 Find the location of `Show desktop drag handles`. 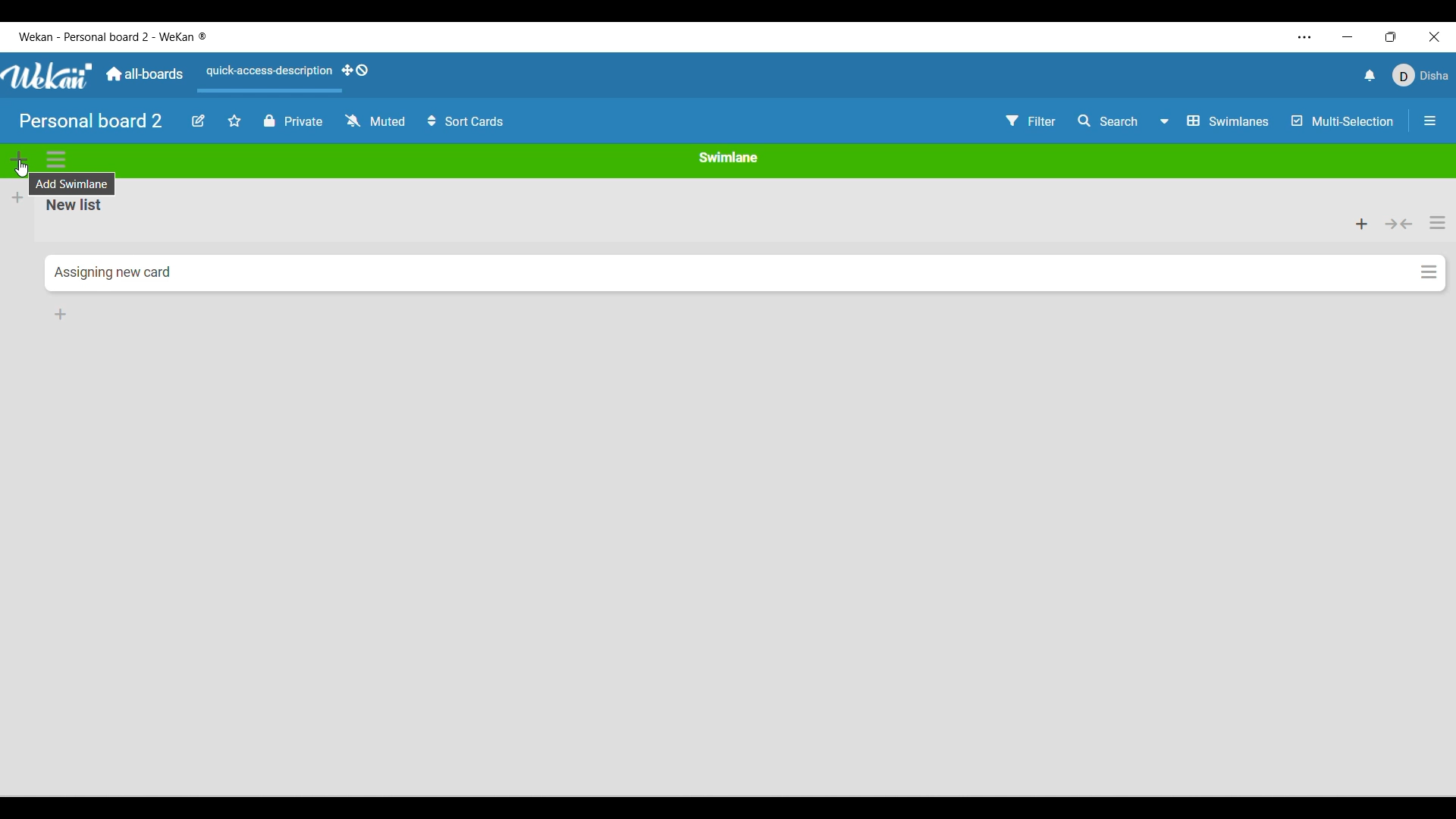

Show desktop drag handles is located at coordinates (356, 70).